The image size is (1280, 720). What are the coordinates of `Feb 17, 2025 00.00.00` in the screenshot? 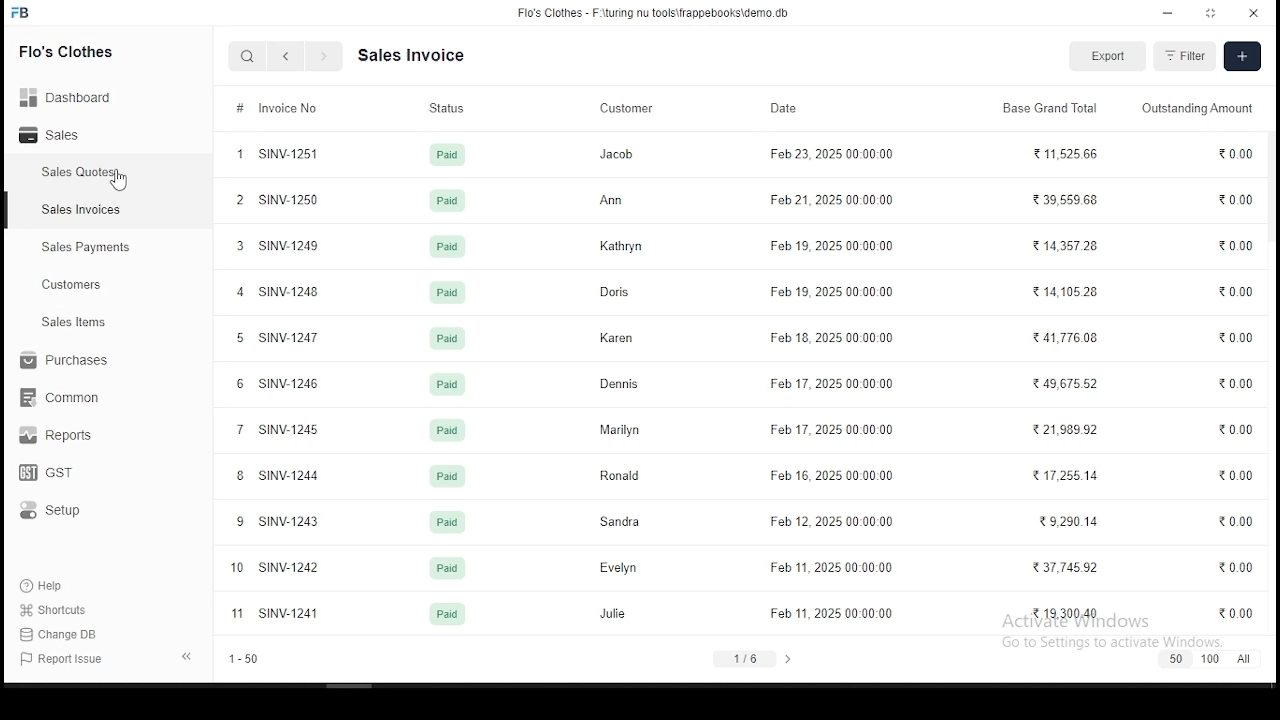 It's located at (835, 430).